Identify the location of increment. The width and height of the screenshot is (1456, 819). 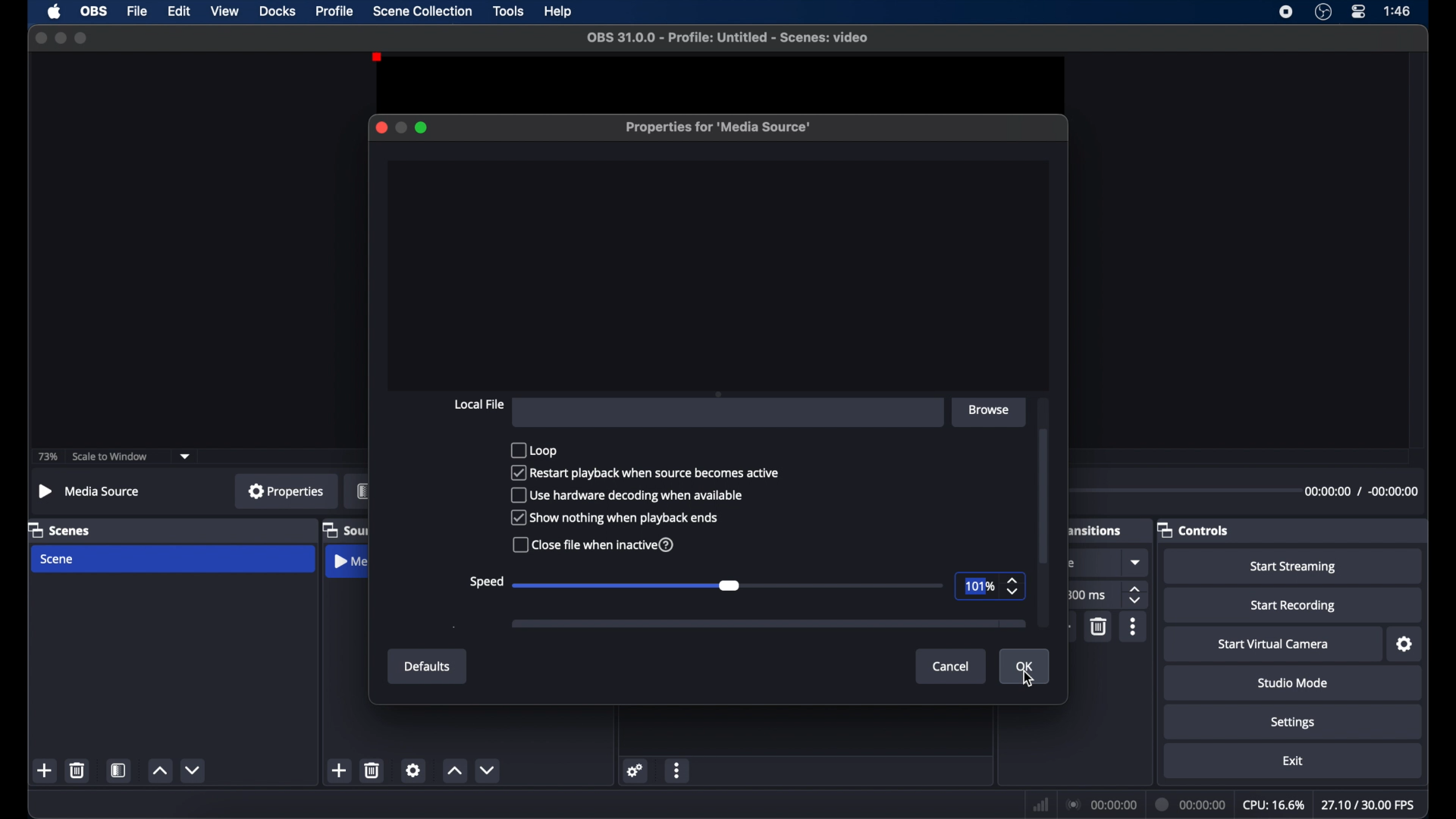
(453, 770).